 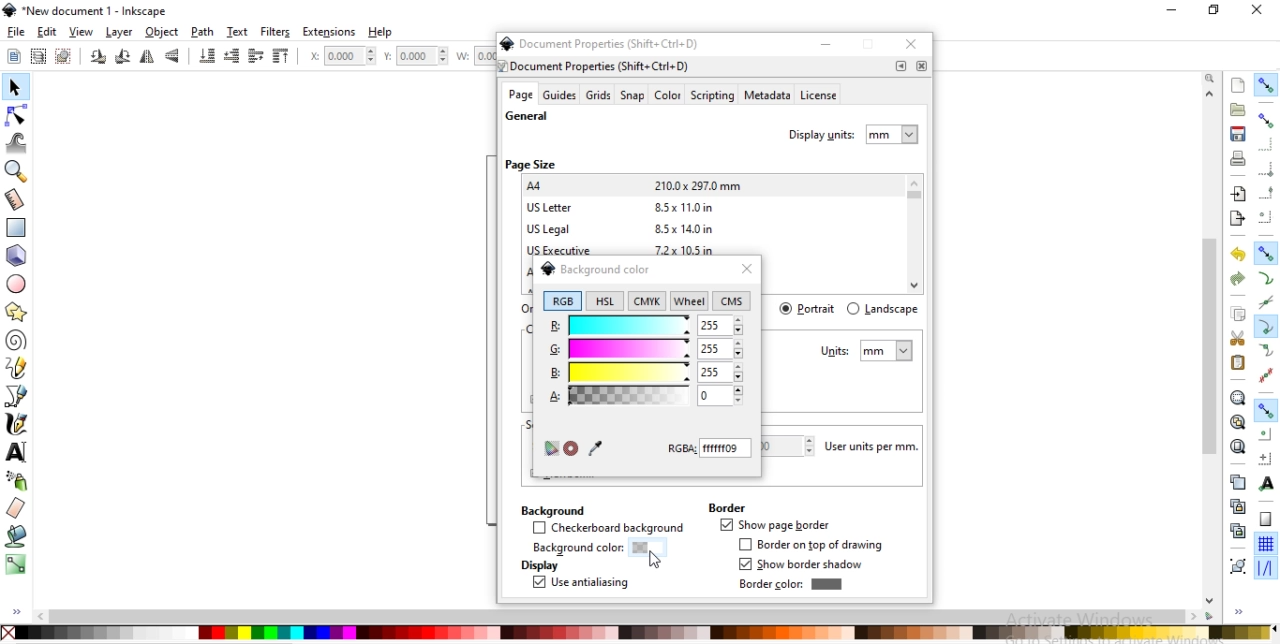 I want to click on snapping centers of bounding boxes, so click(x=1265, y=217).